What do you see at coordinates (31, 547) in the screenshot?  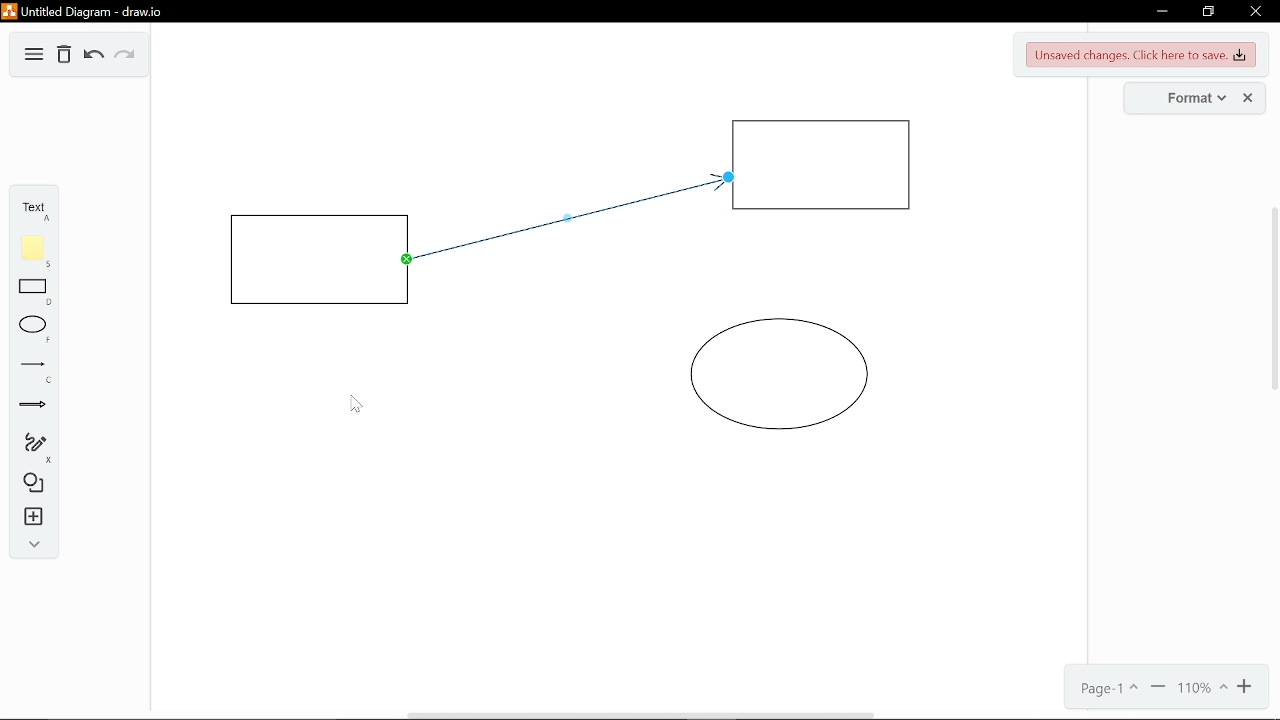 I see `expand/collapse` at bounding box center [31, 547].